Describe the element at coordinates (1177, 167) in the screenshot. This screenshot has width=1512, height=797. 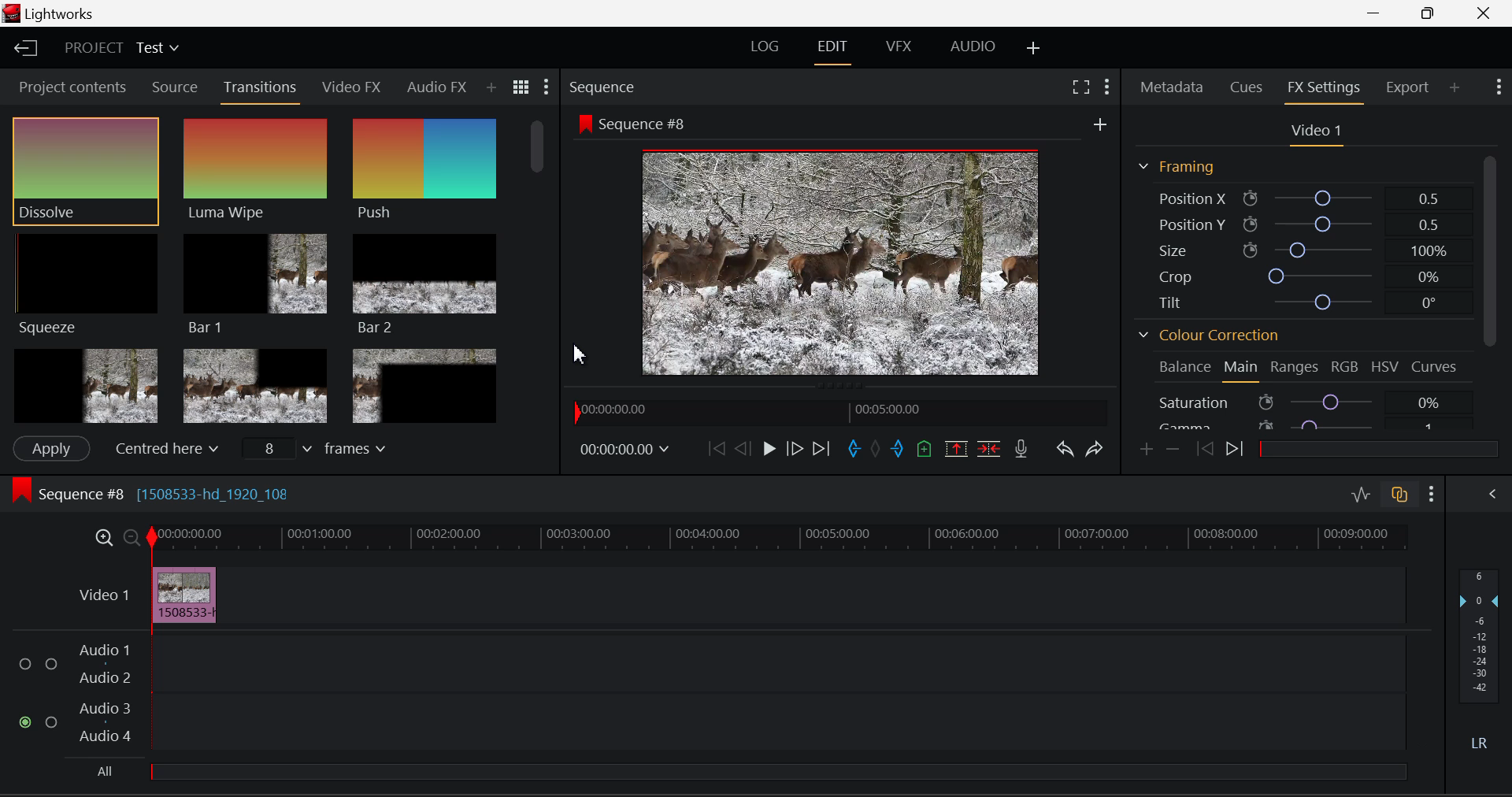
I see `Framing Section` at that location.